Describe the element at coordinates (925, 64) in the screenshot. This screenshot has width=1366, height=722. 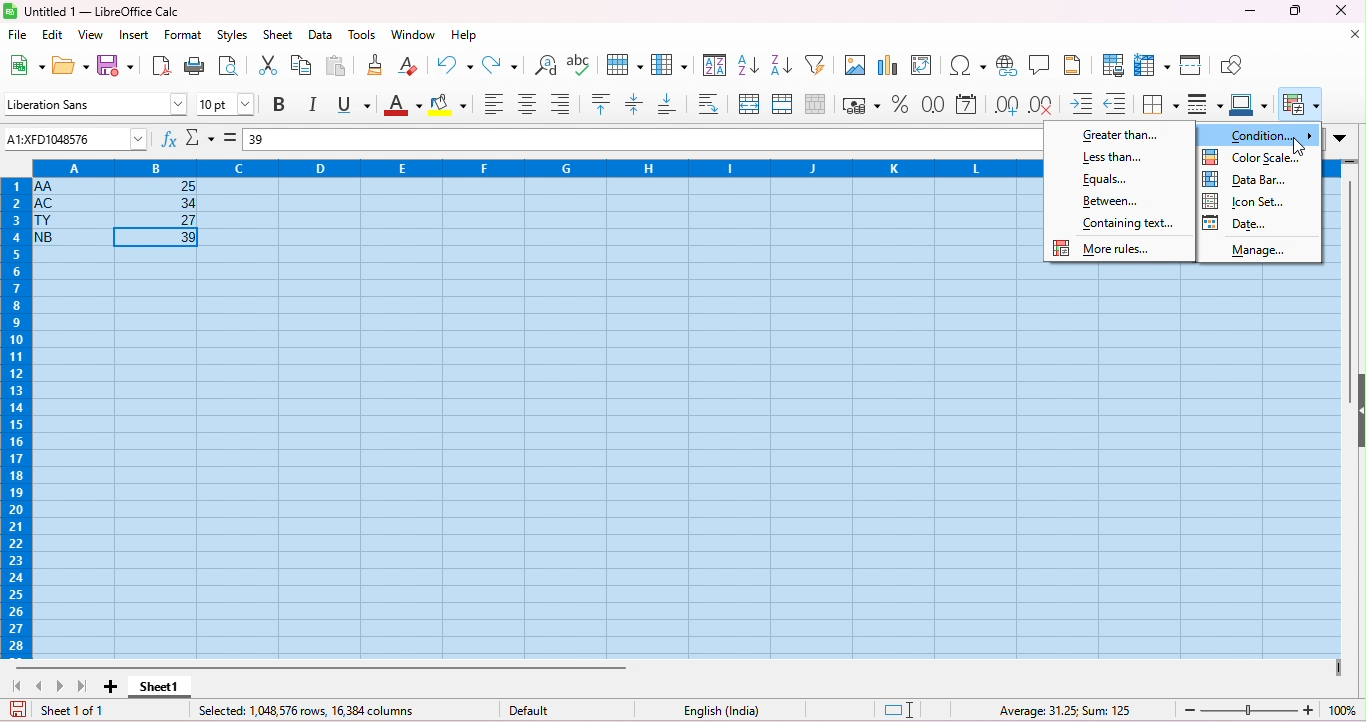
I see `insert pivot table` at that location.